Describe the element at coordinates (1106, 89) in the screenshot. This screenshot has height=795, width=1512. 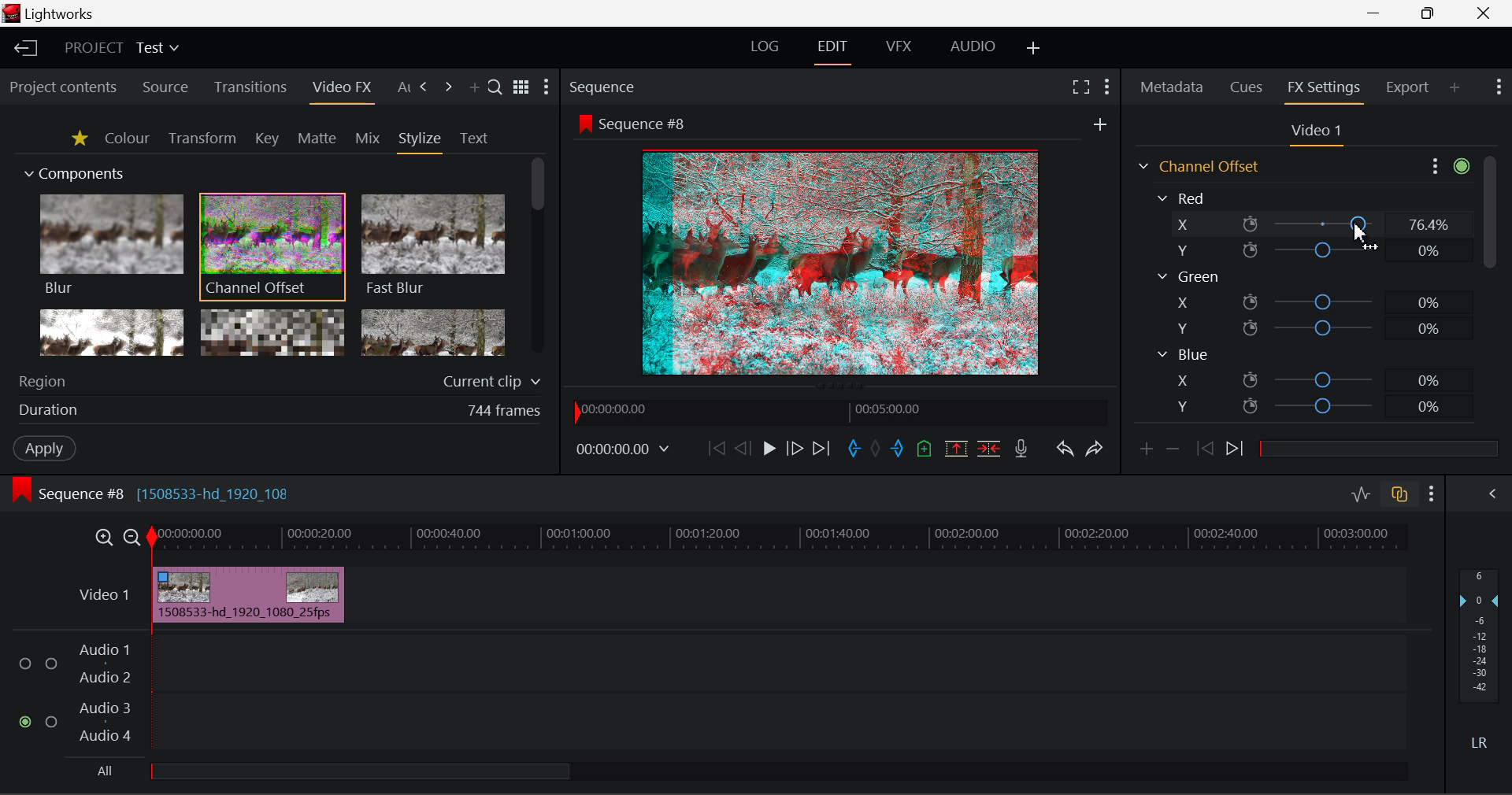
I see `Show Settings` at that location.